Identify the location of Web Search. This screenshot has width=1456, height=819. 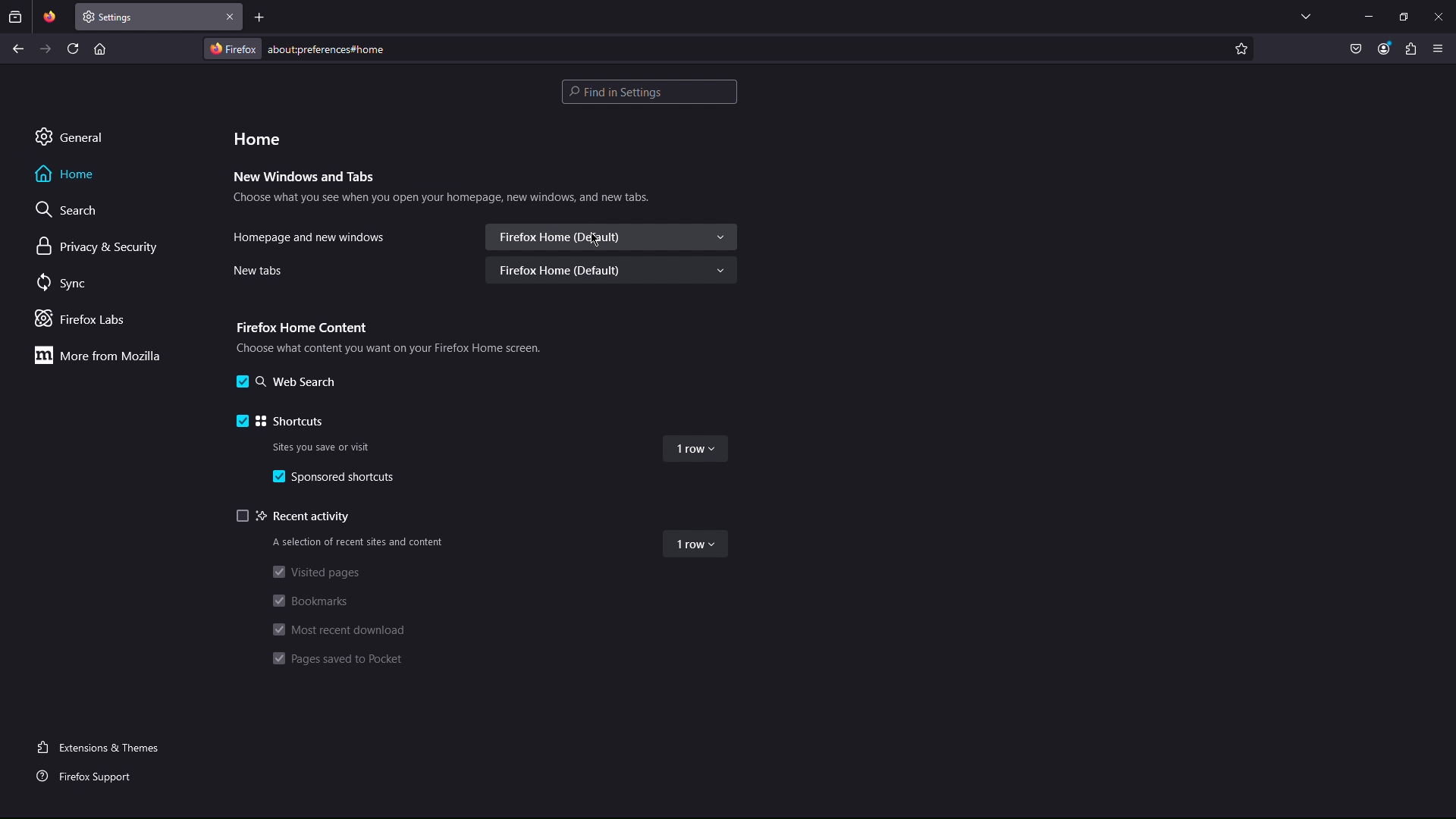
(289, 381).